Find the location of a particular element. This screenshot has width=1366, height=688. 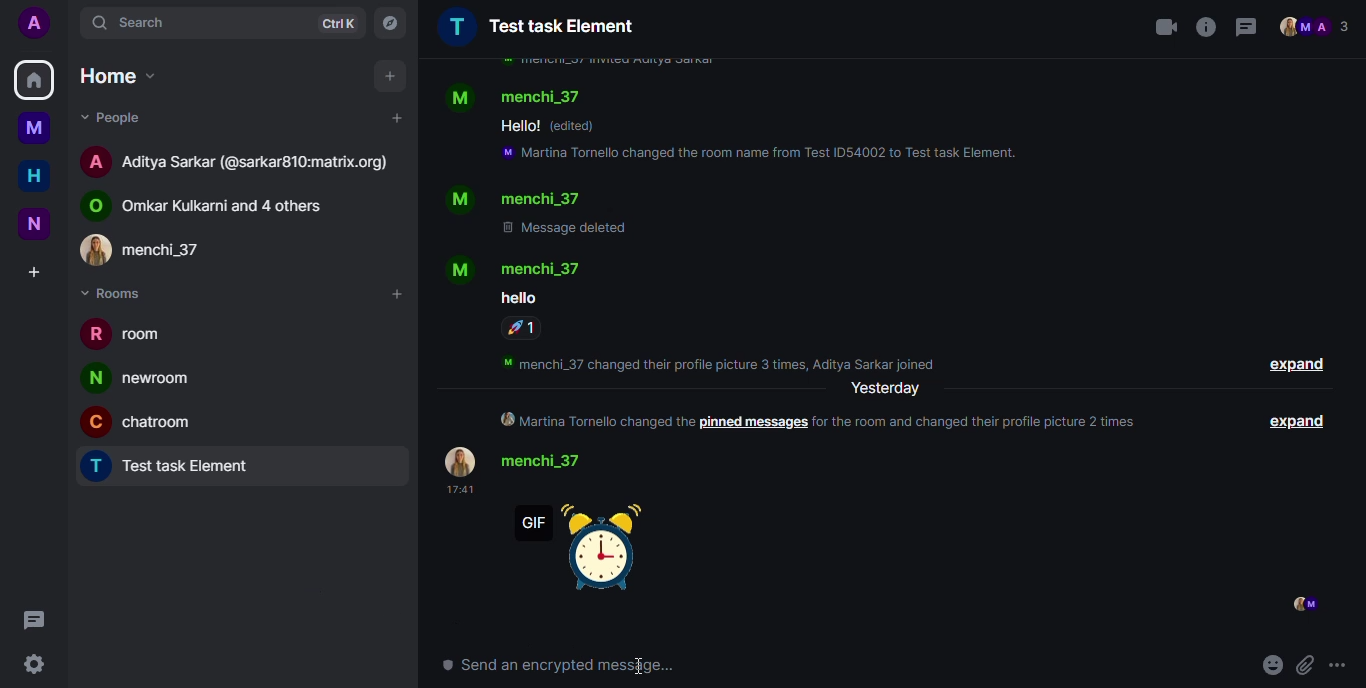

emoji is located at coordinates (1273, 665).